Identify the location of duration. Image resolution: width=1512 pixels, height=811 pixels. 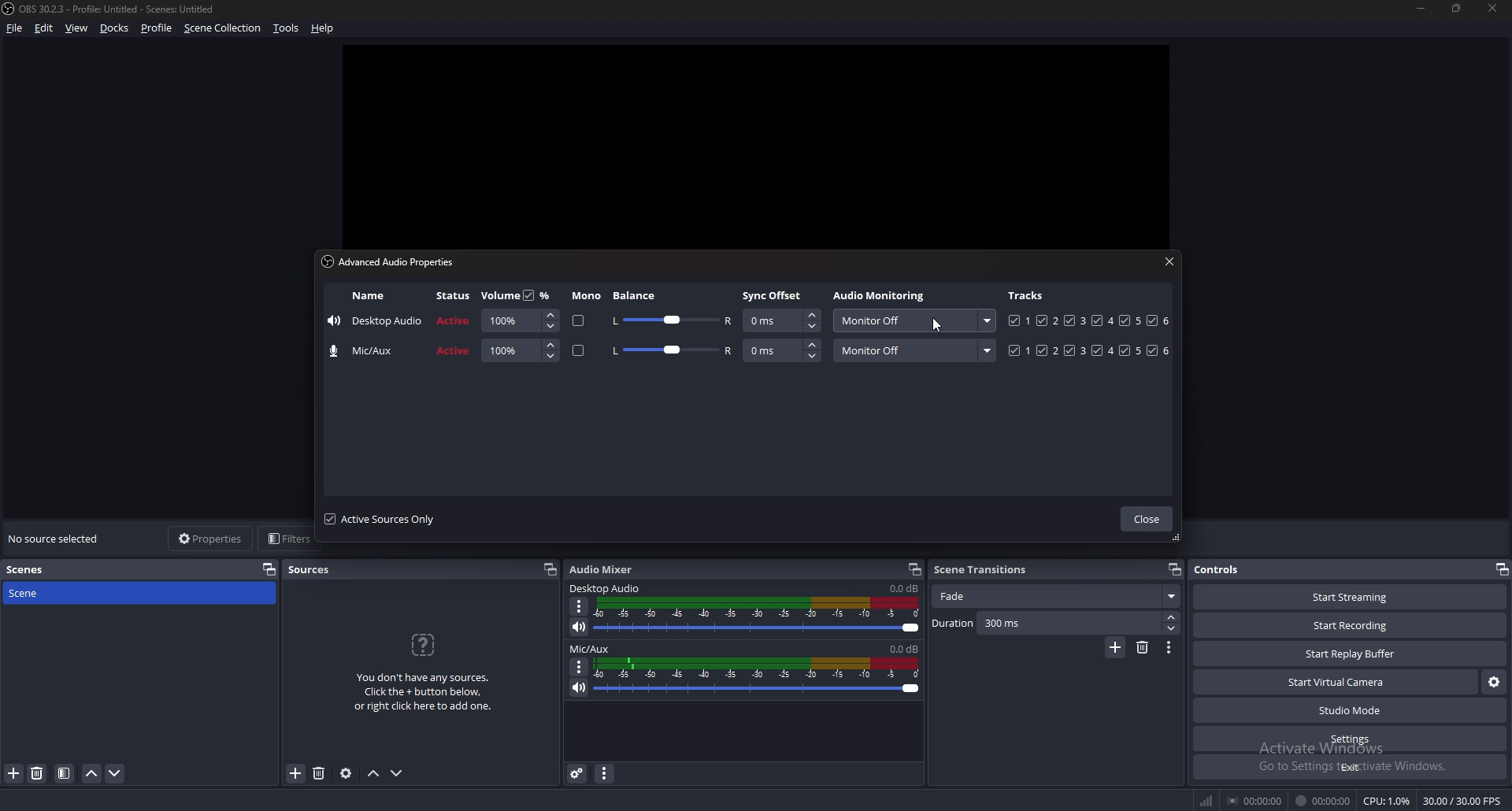
(1045, 624).